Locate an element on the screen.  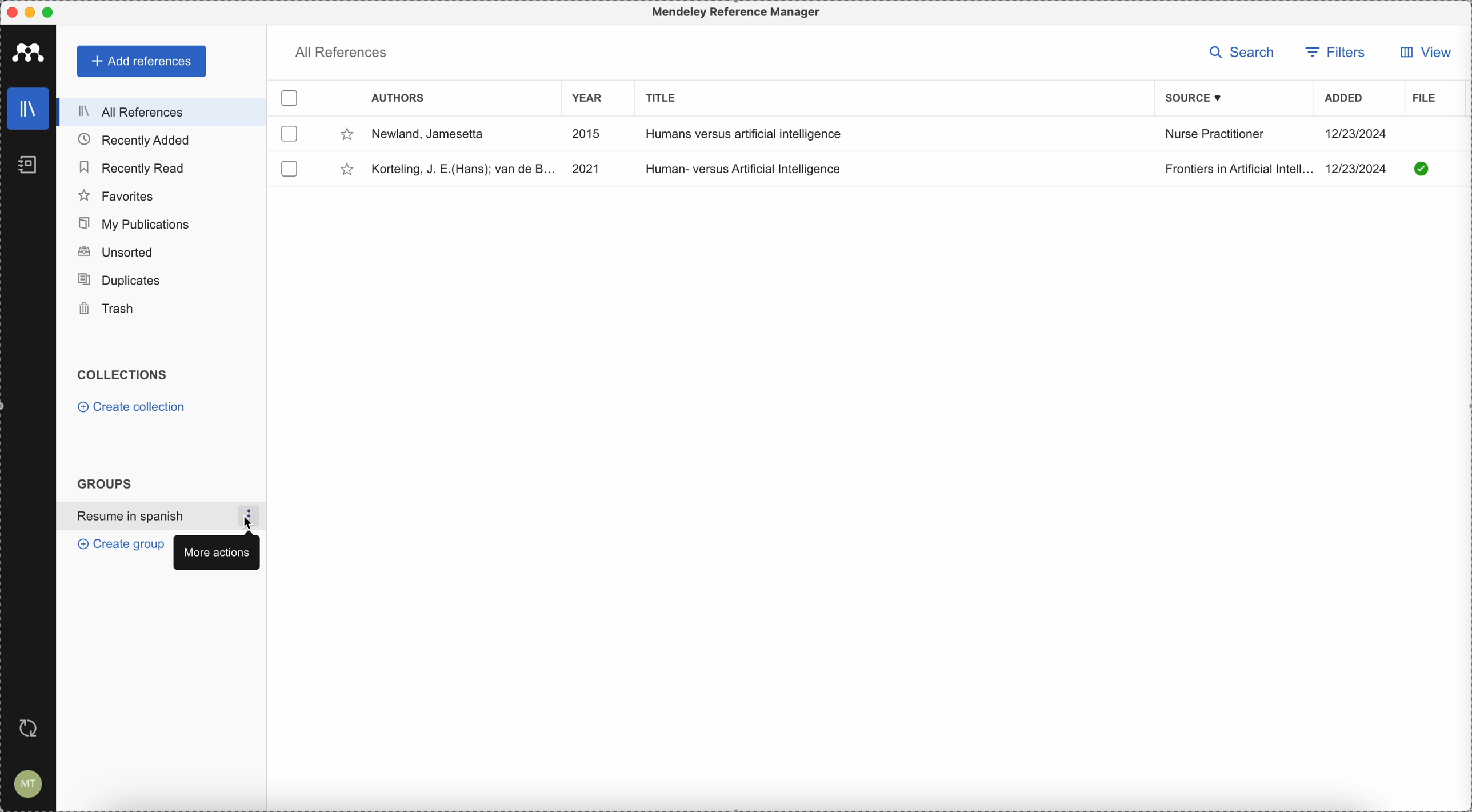
2021 is located at coordinates (585, 167).